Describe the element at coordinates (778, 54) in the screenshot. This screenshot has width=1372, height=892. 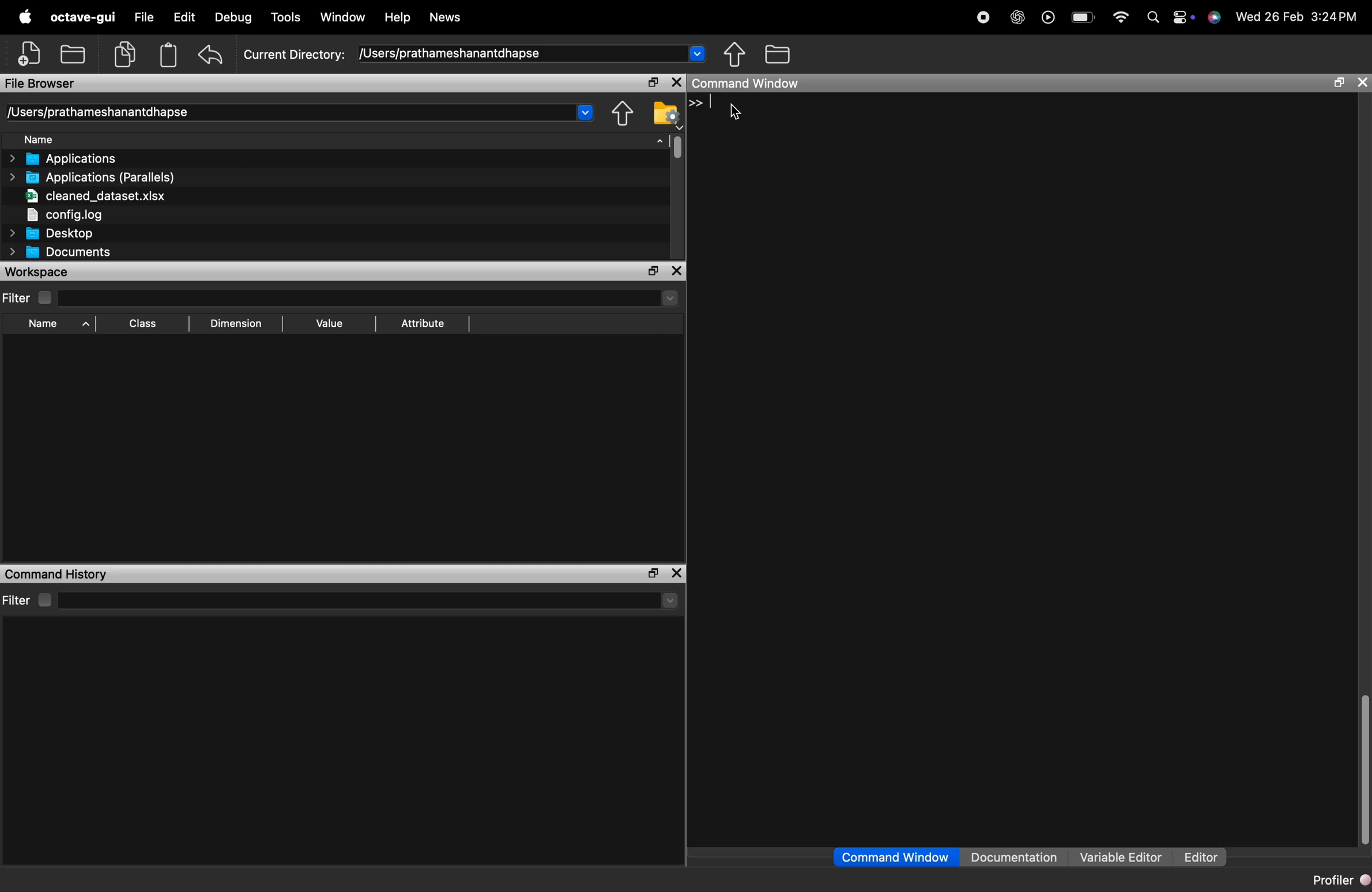
I see `Browse directories` at that location.